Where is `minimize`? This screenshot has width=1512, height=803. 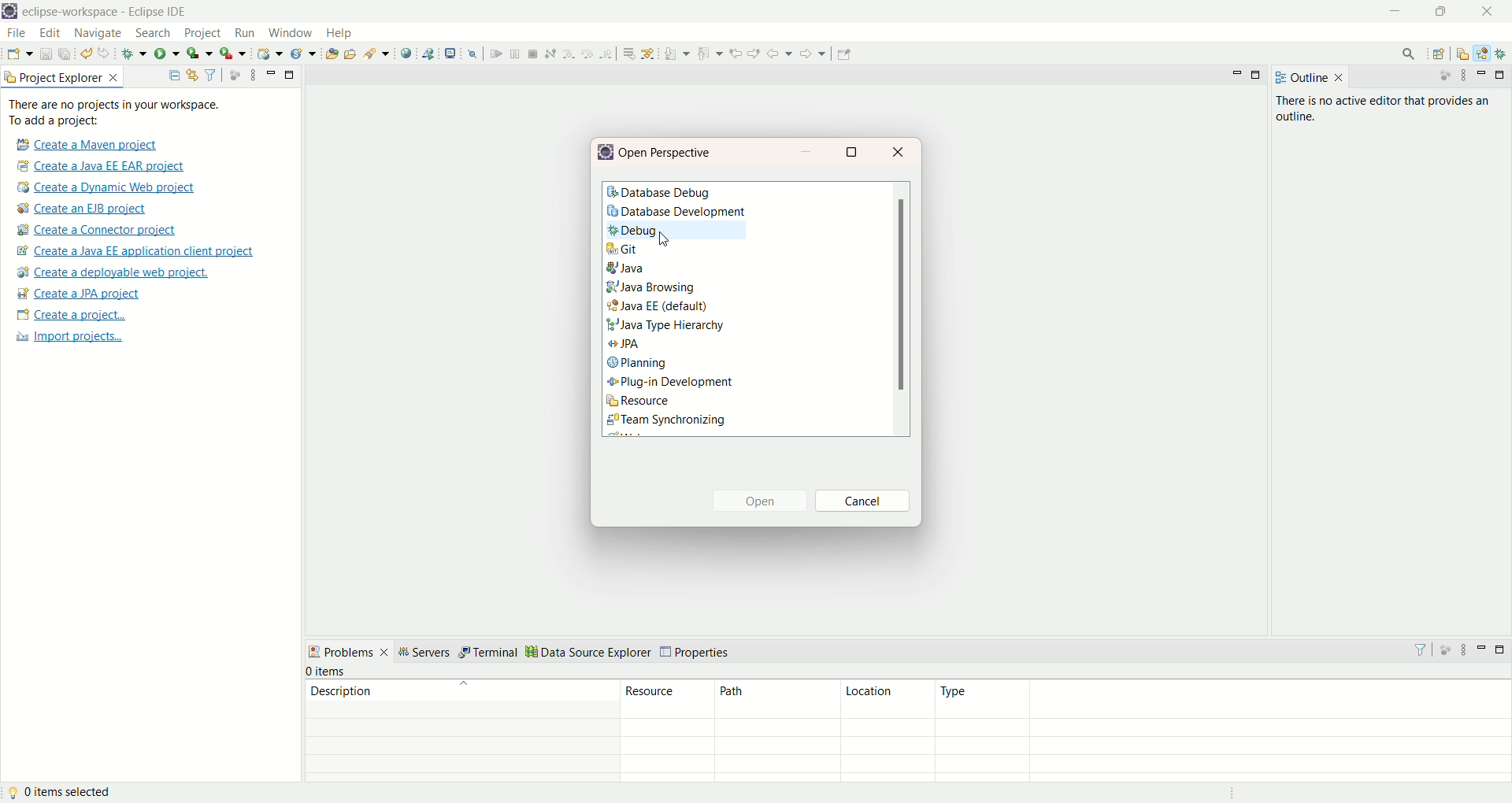
minimize is located at coordinates (1401, 13).